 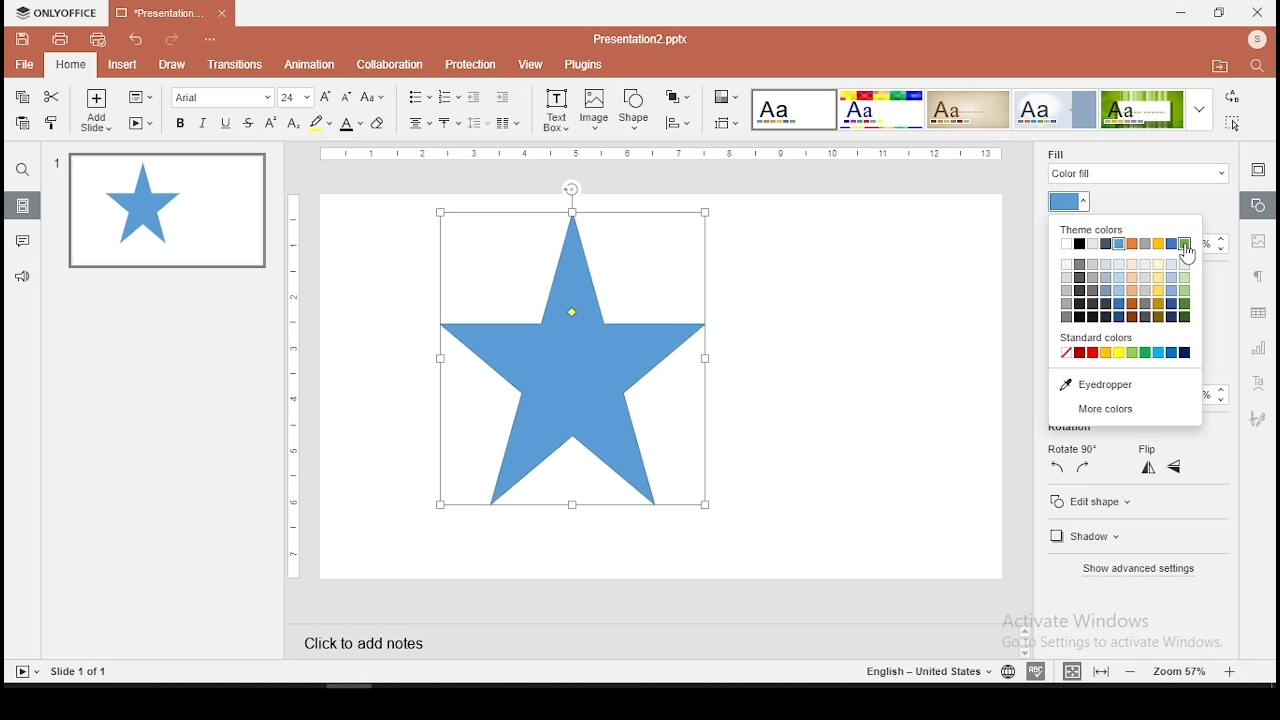 I want to click on select slide size, so click(x=726, y=123).